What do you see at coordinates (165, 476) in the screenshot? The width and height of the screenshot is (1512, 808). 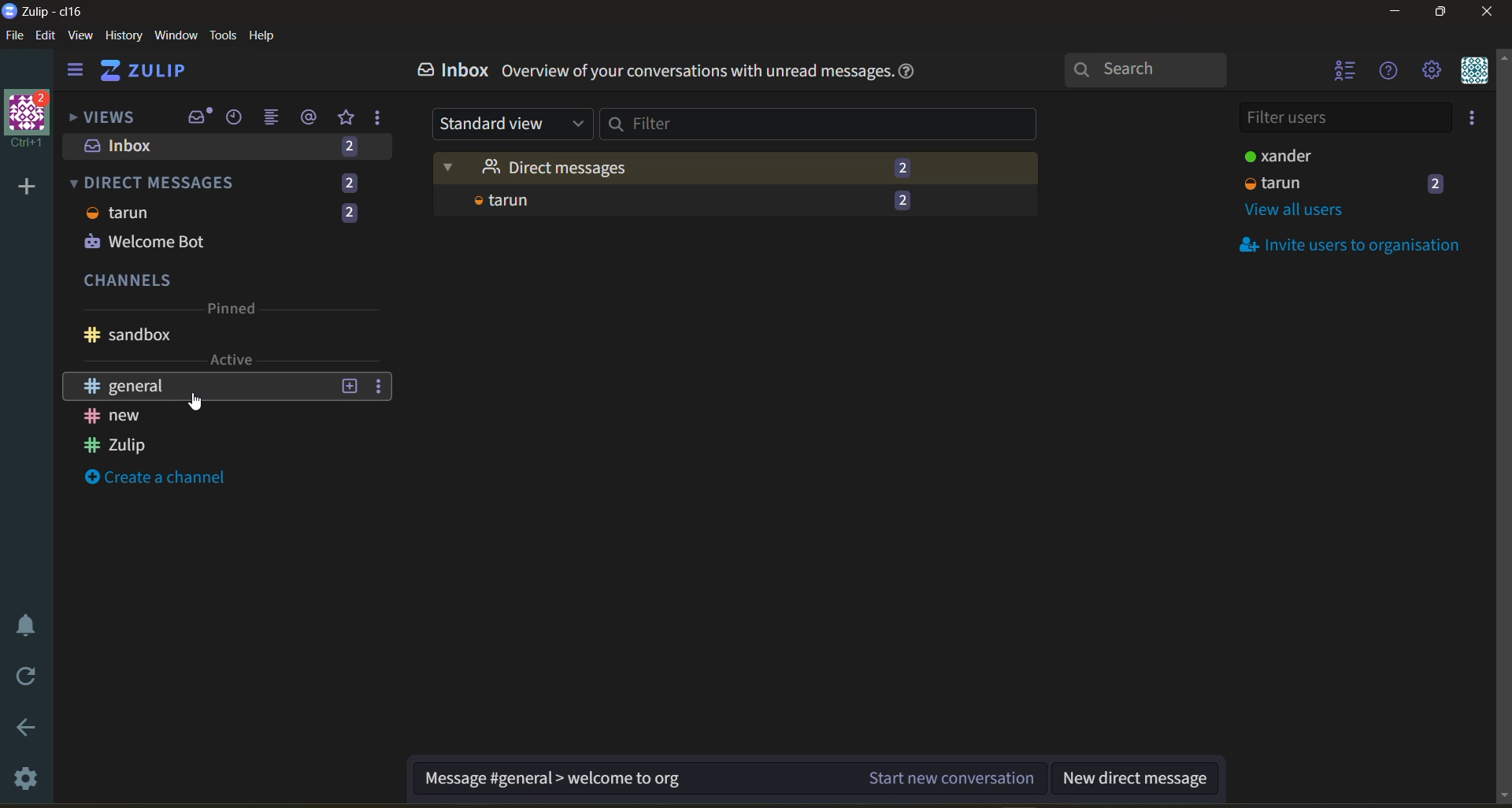 I see `create a channel` at bounding box center [165, 476].